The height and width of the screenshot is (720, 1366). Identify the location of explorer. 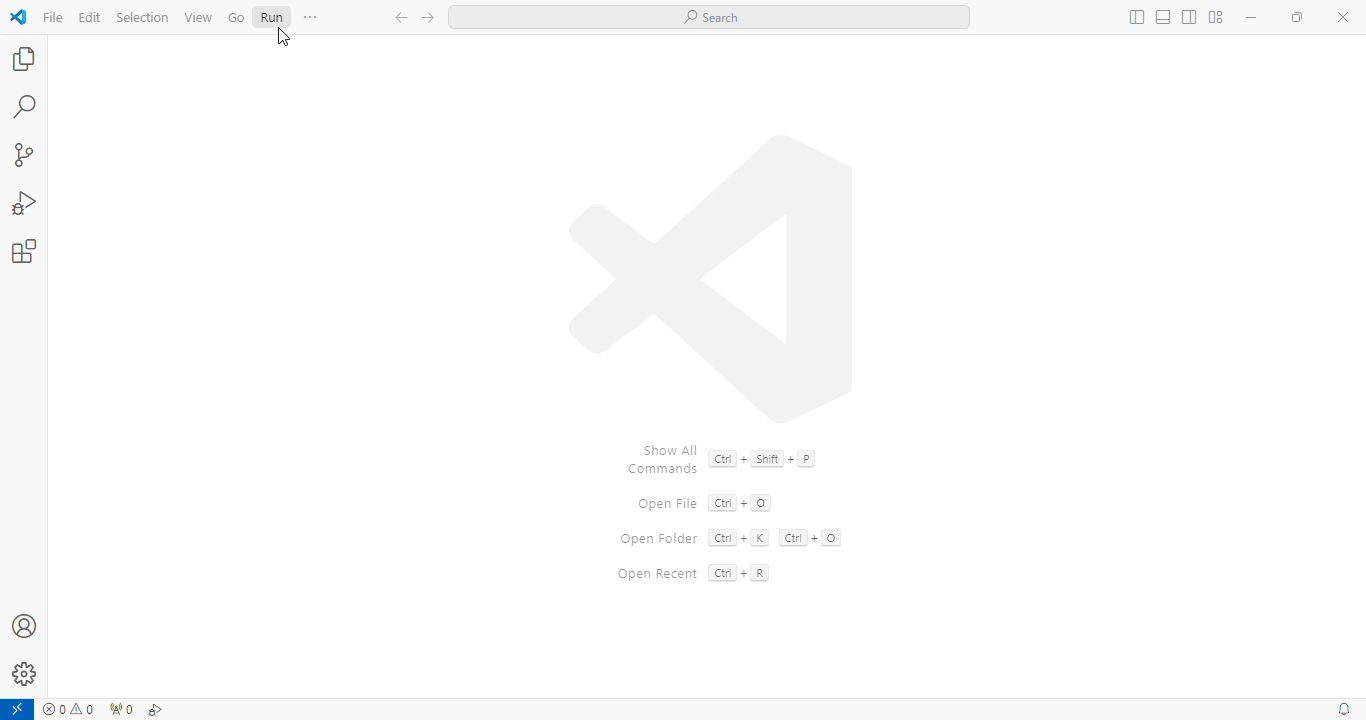
(23, 58).